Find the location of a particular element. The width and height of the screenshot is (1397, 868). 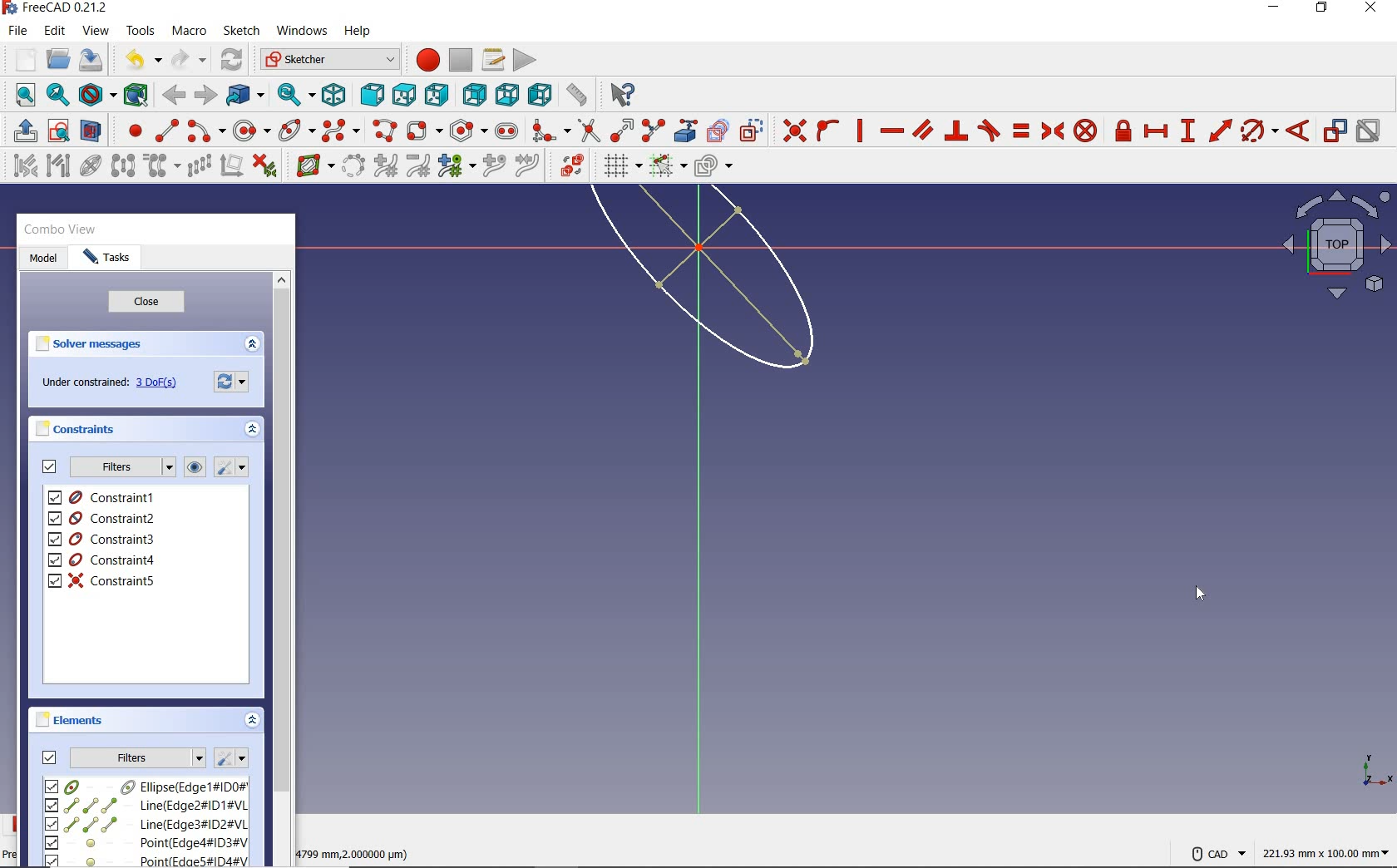

save is located at coordinates (90, 60).